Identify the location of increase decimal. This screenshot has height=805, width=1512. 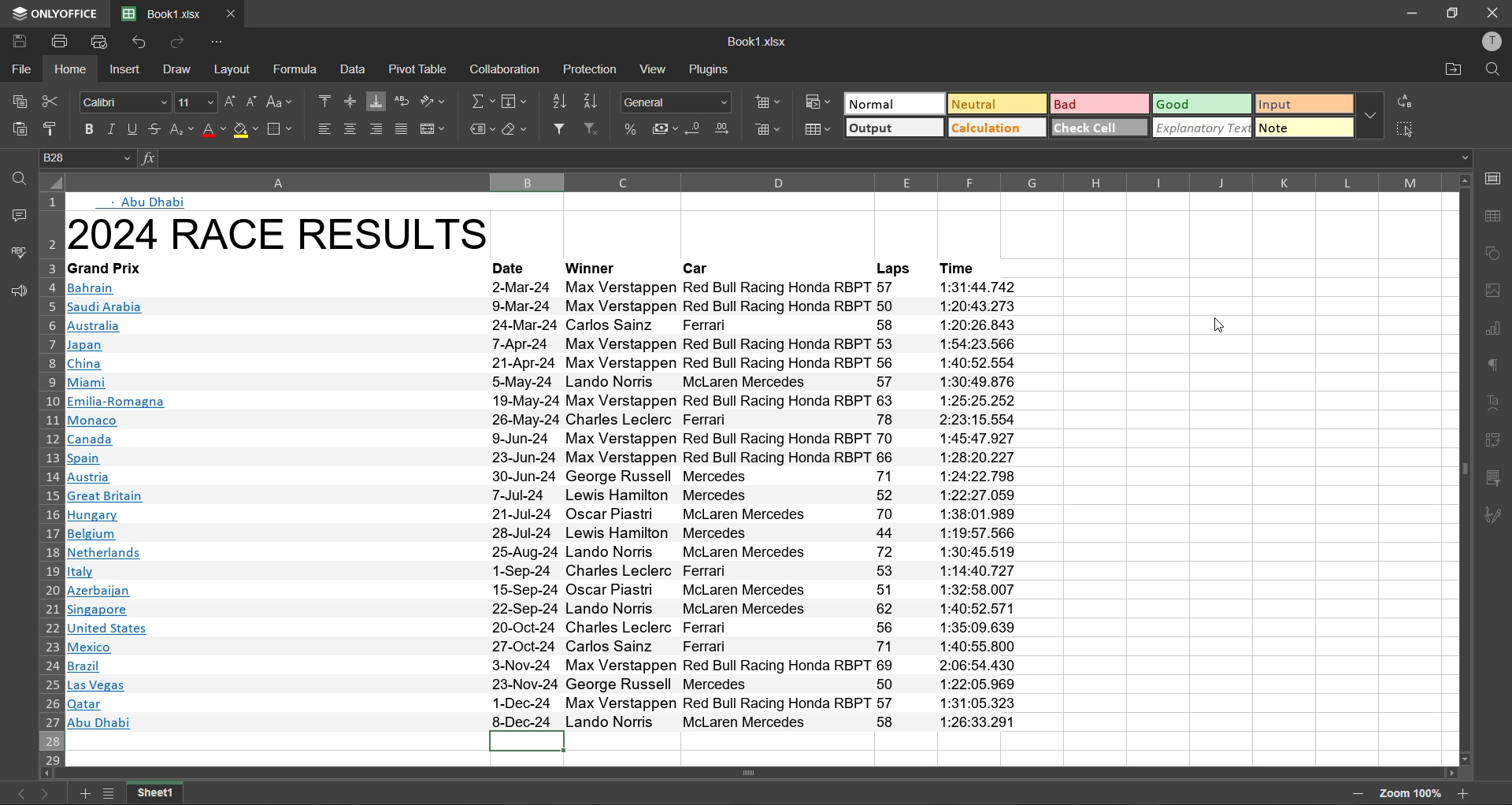
(724, 130).